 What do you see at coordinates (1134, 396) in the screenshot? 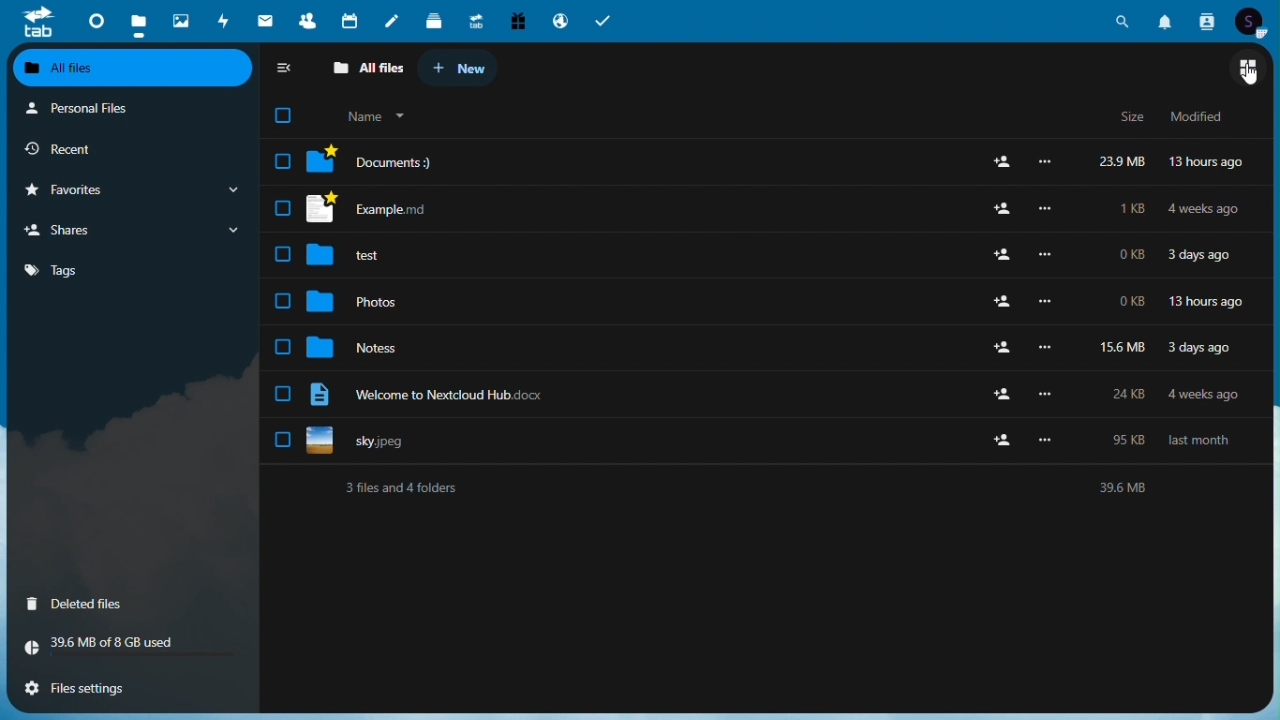
I see `24kb` at bounding box center [1134, 396].